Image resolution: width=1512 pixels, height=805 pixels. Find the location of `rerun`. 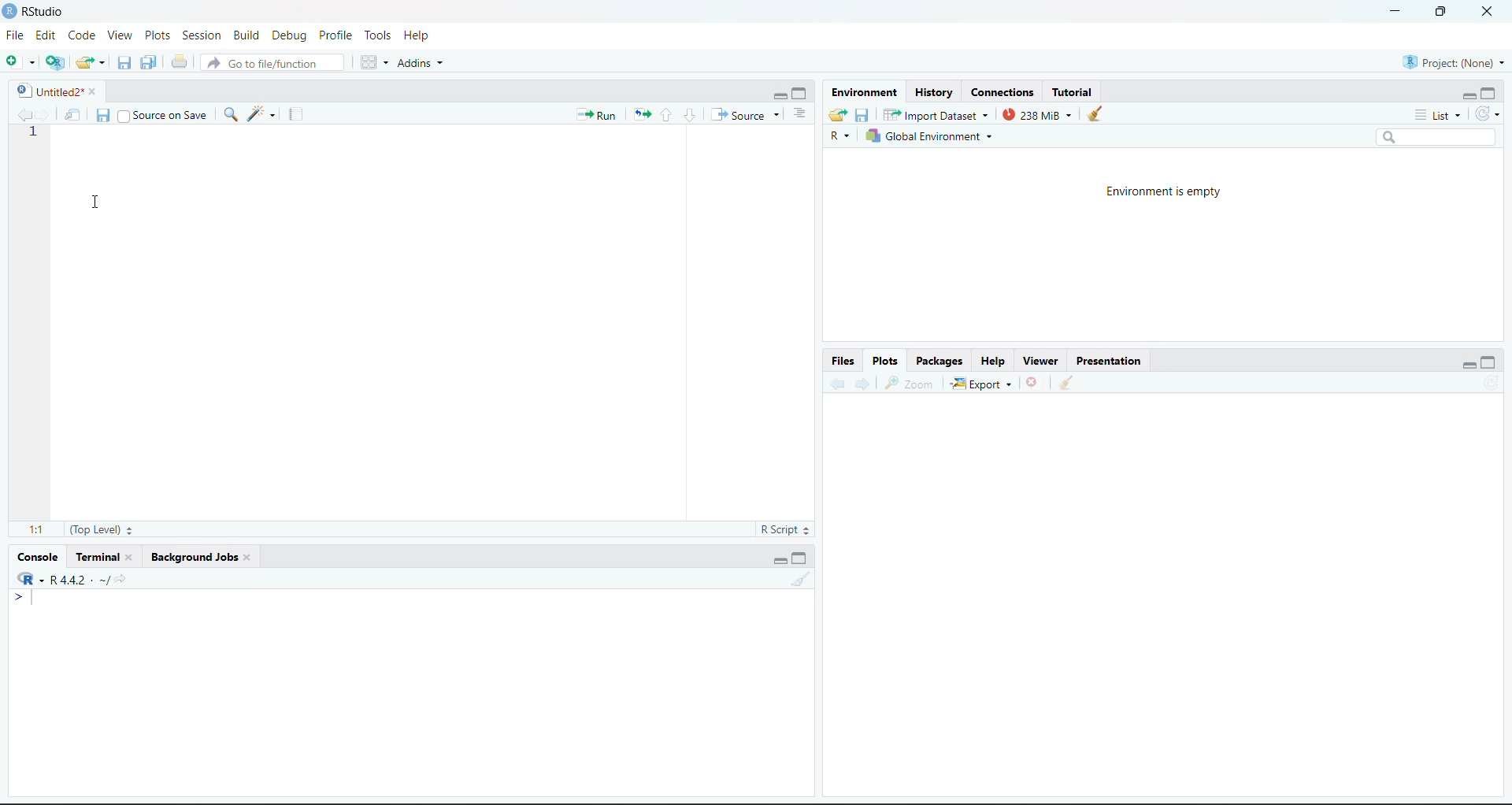

rerun is located at coordinates (642, 116).